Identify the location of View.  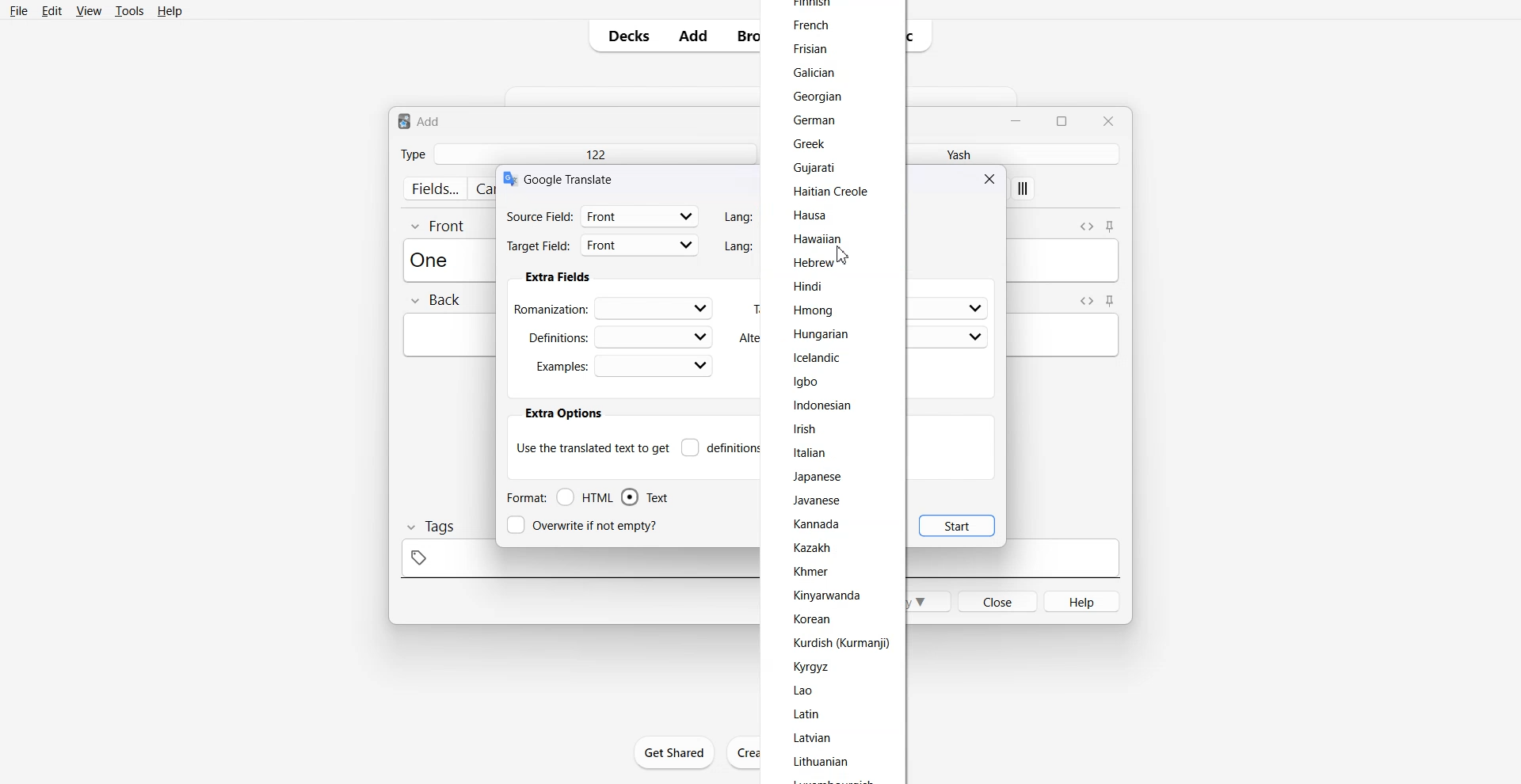
(87, 10).